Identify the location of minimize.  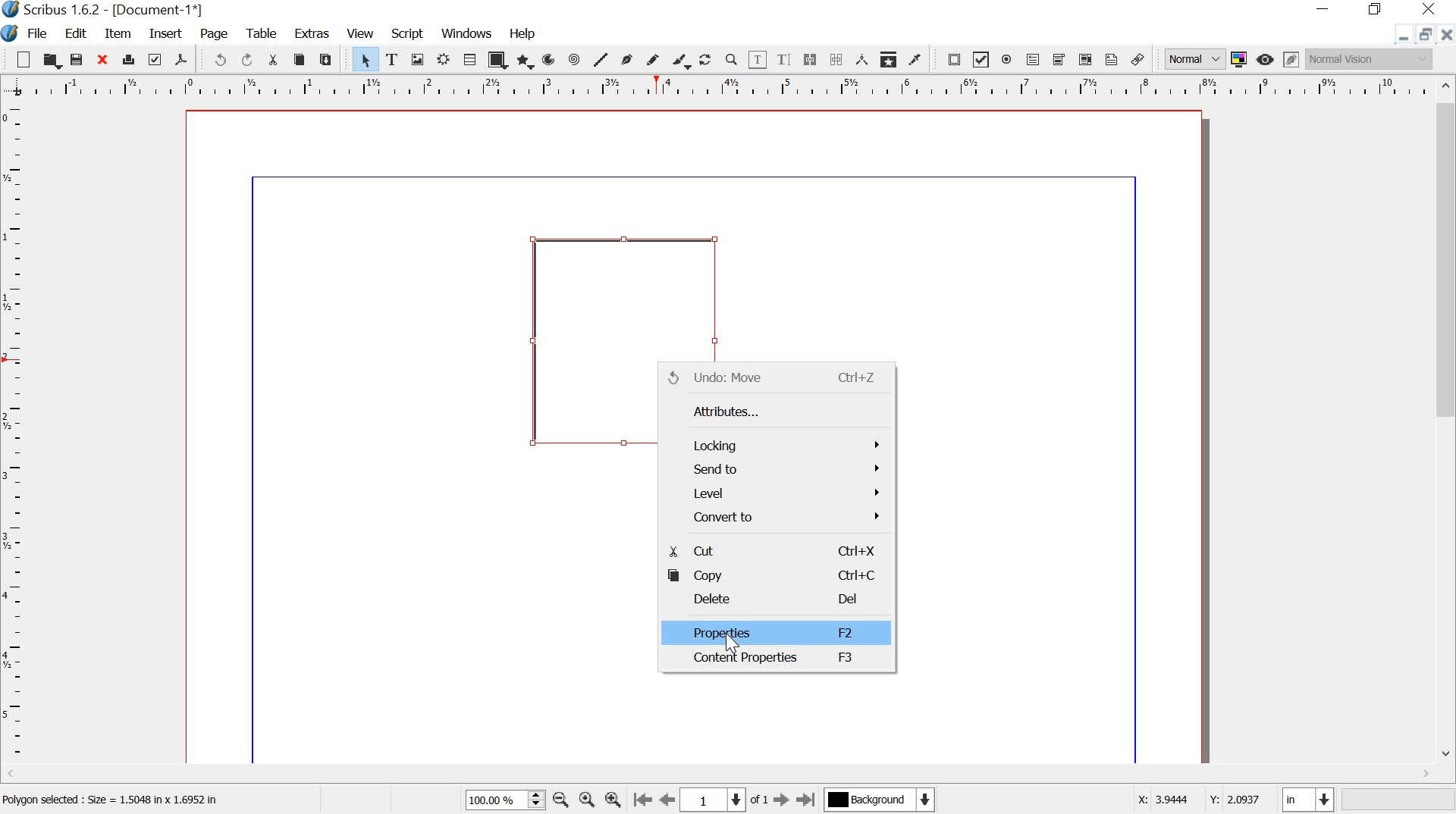
(1403, 37).